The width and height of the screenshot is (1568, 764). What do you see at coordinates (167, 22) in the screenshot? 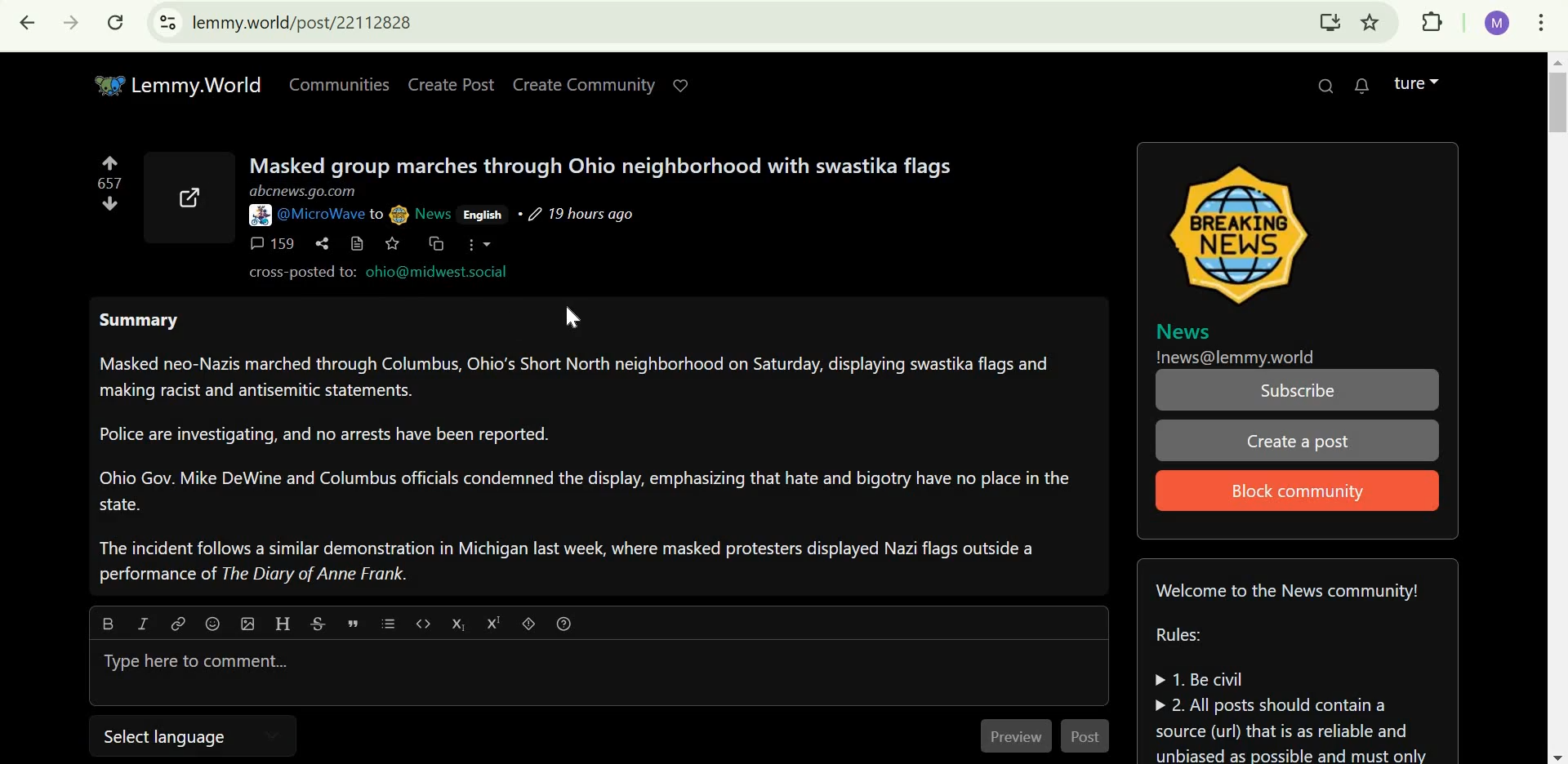
I see `view site information` at bounding box center [167, 22].